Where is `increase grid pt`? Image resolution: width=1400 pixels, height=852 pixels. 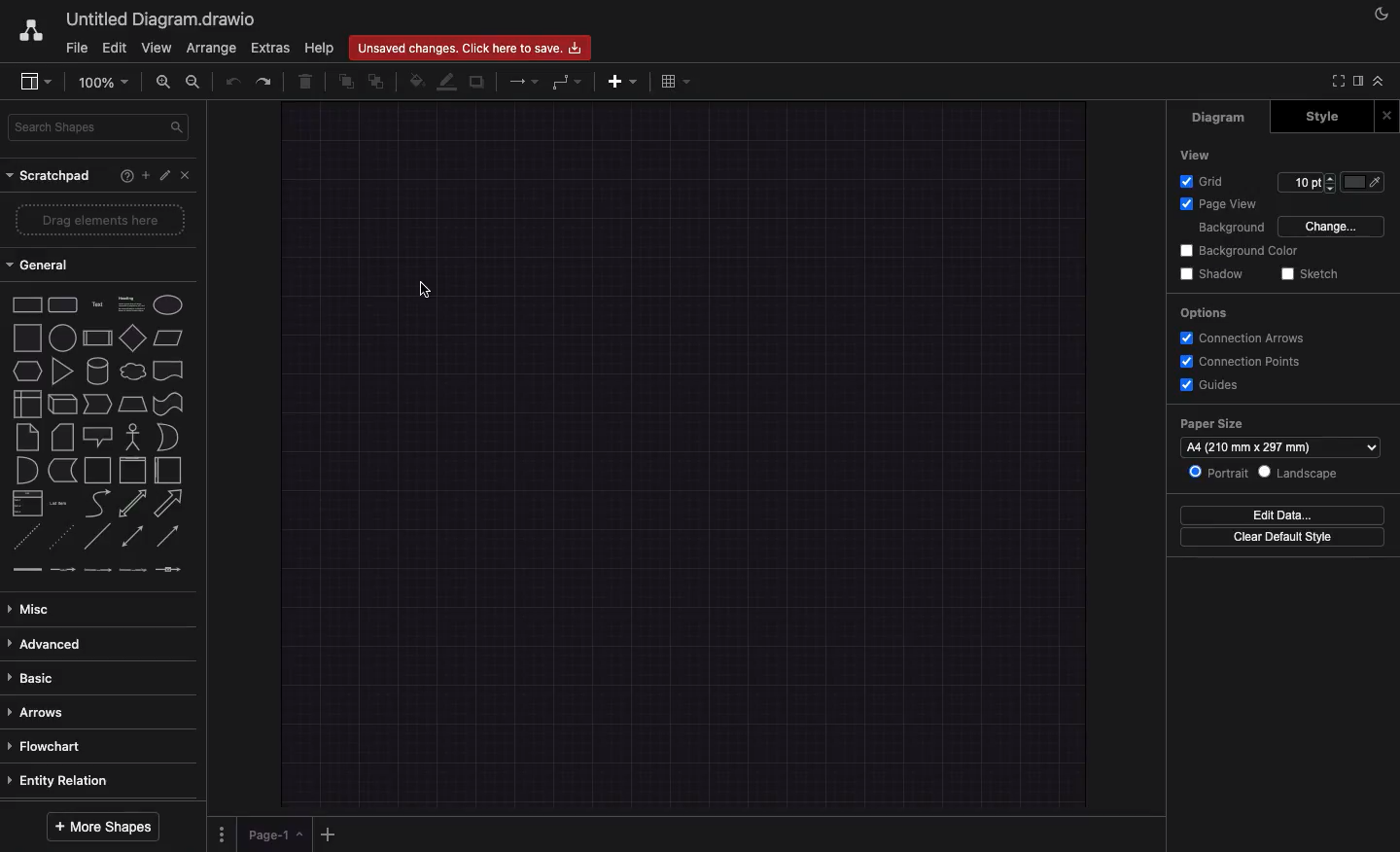 increase grid pt is located at coordinates (1332, 178).